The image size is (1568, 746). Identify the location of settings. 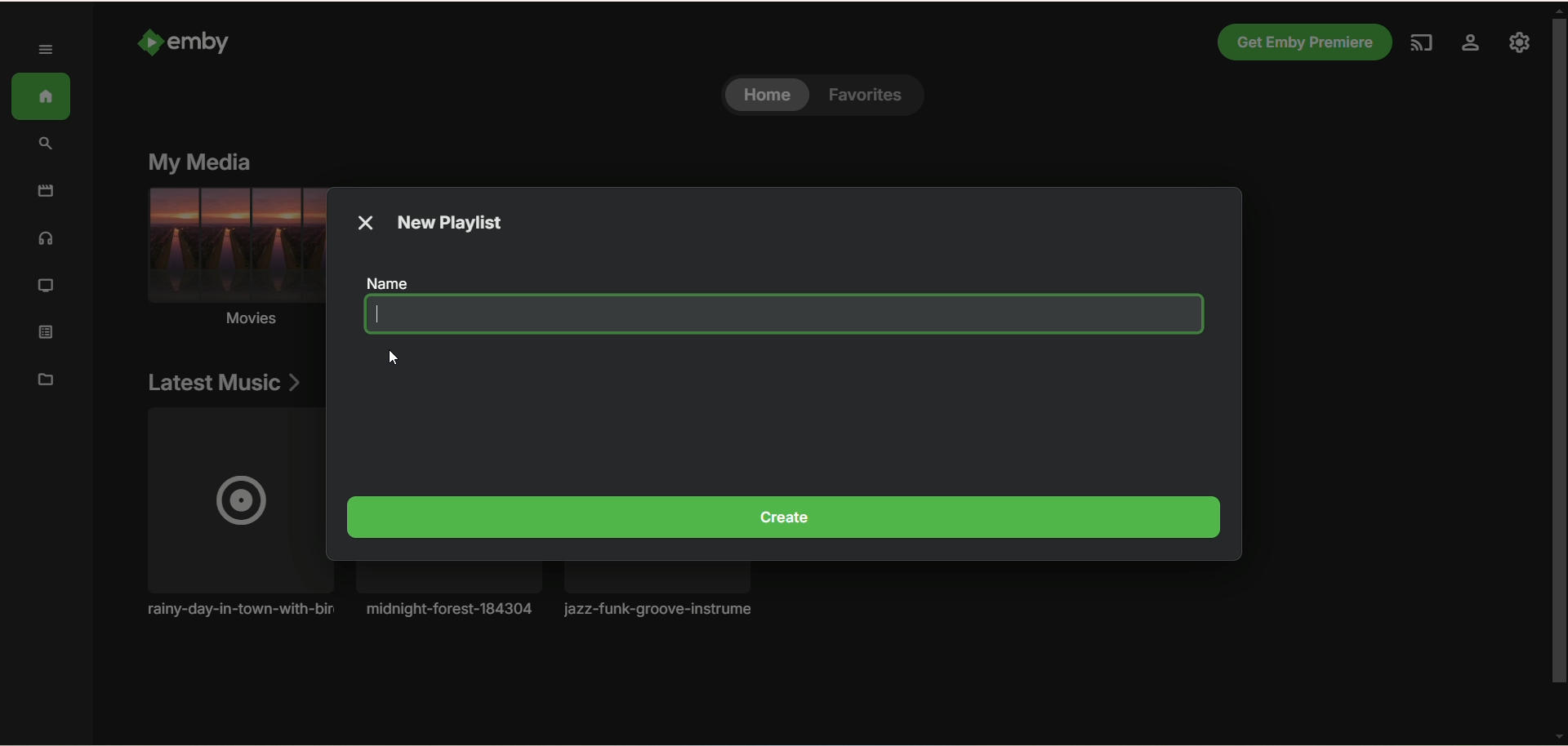
(1469, 45).